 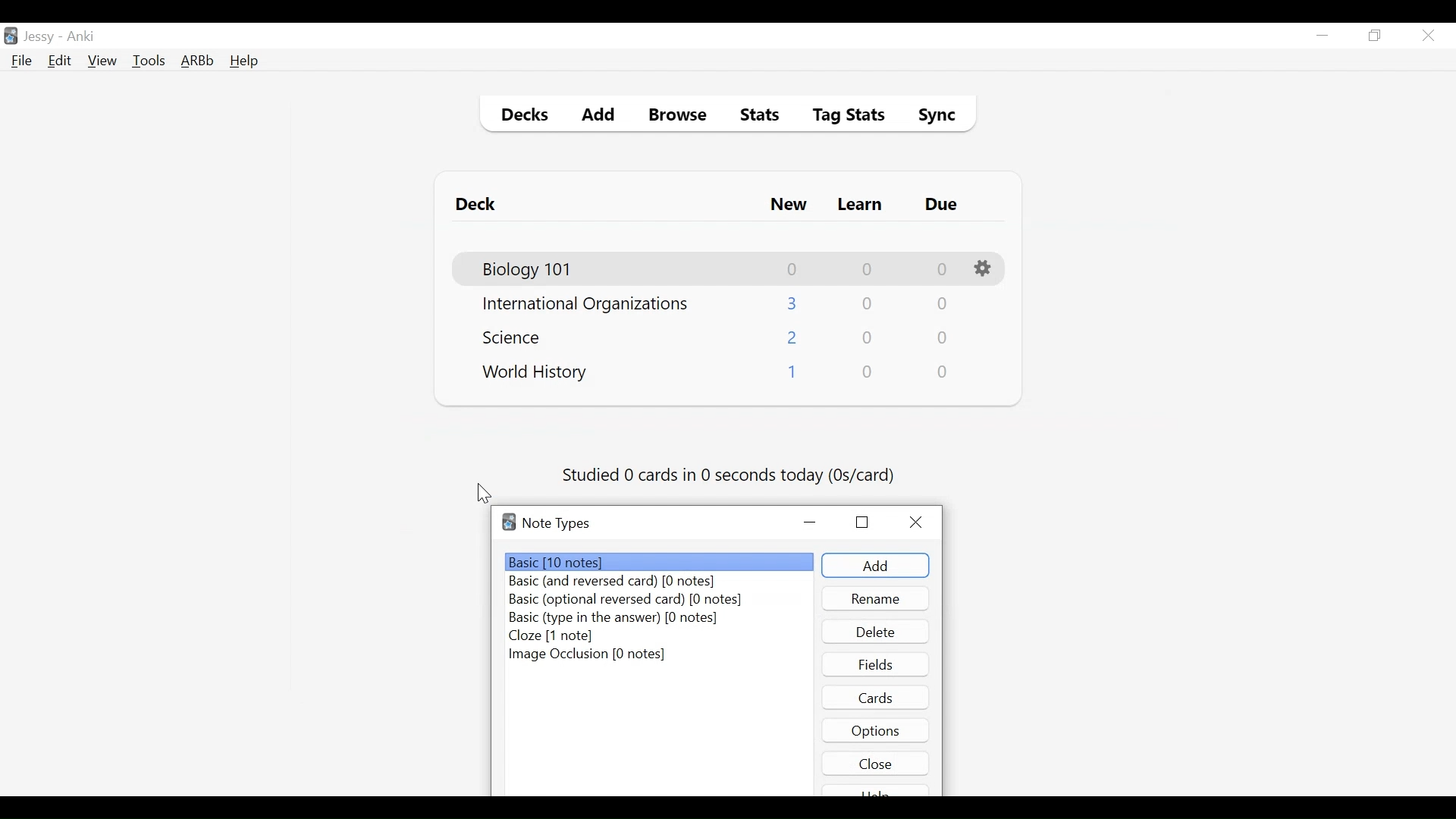 What do you see at coordinates (840, 117) in the screenshot?
I see `Tag Stats` at bounding box center [840, 117].